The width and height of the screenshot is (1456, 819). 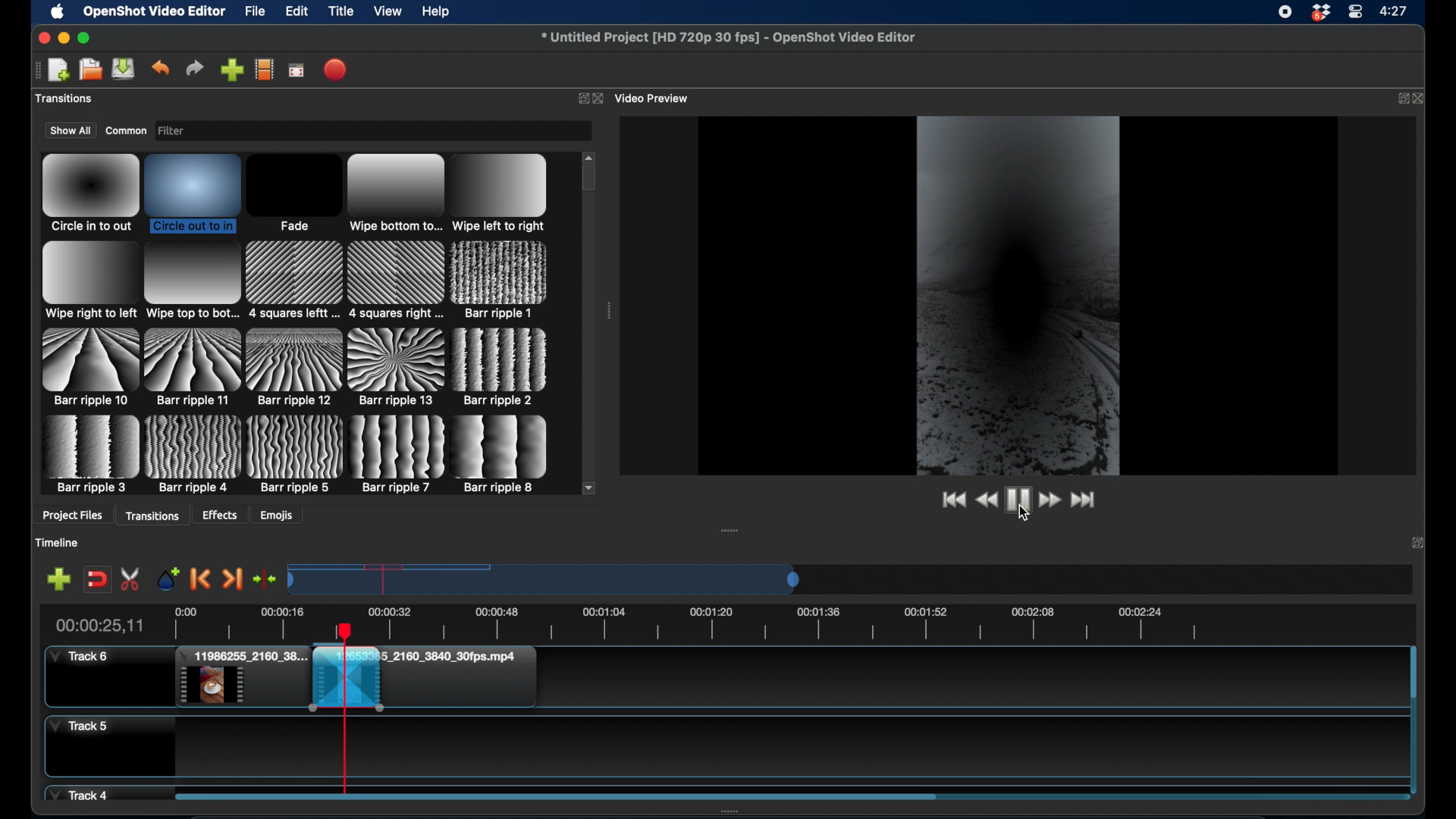 I want to click on expand, so click(x=1399, y=98).